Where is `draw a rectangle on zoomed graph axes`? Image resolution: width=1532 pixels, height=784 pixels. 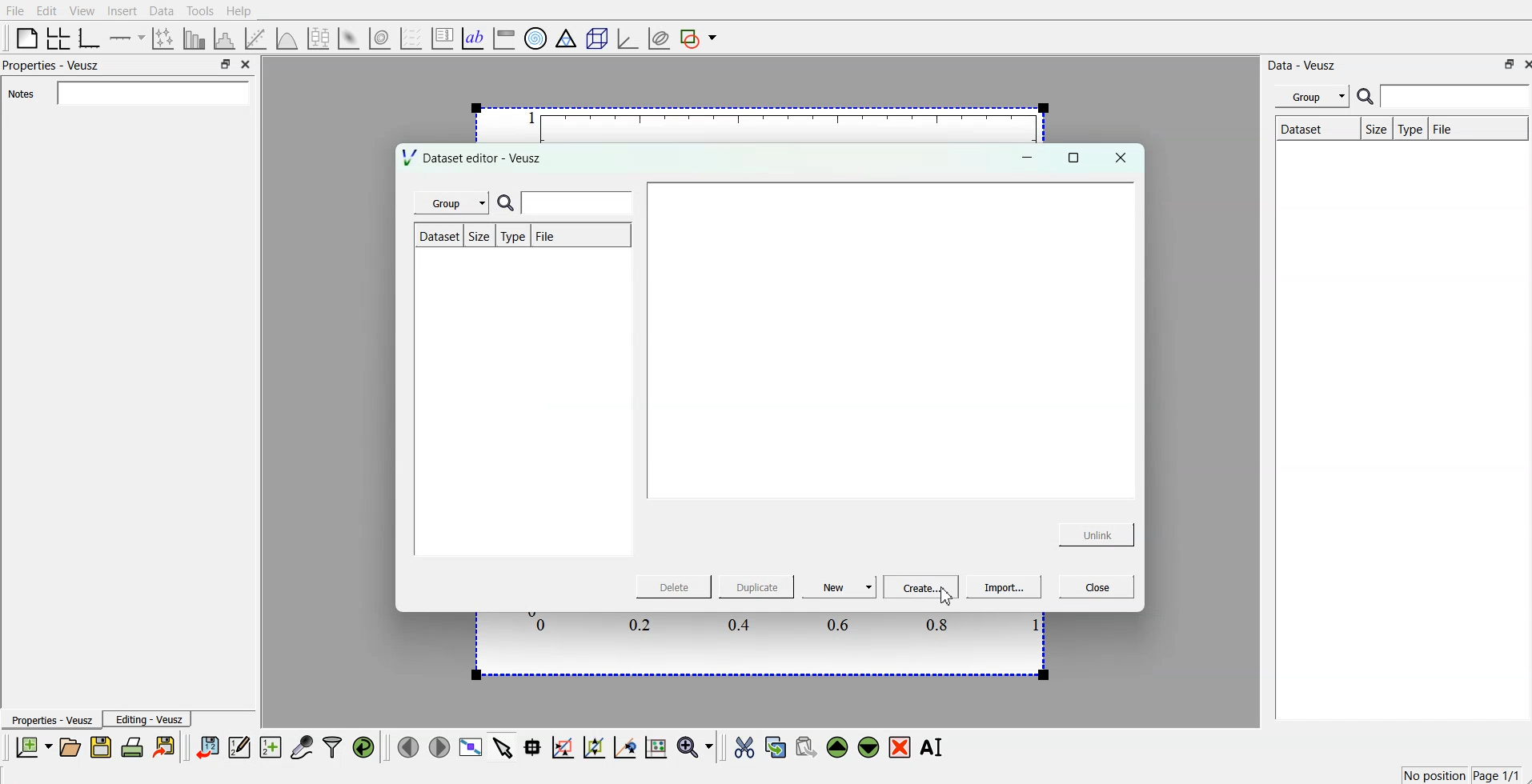 draw a rectangle on zoomed graph axes is located at coordinates (563, 749).